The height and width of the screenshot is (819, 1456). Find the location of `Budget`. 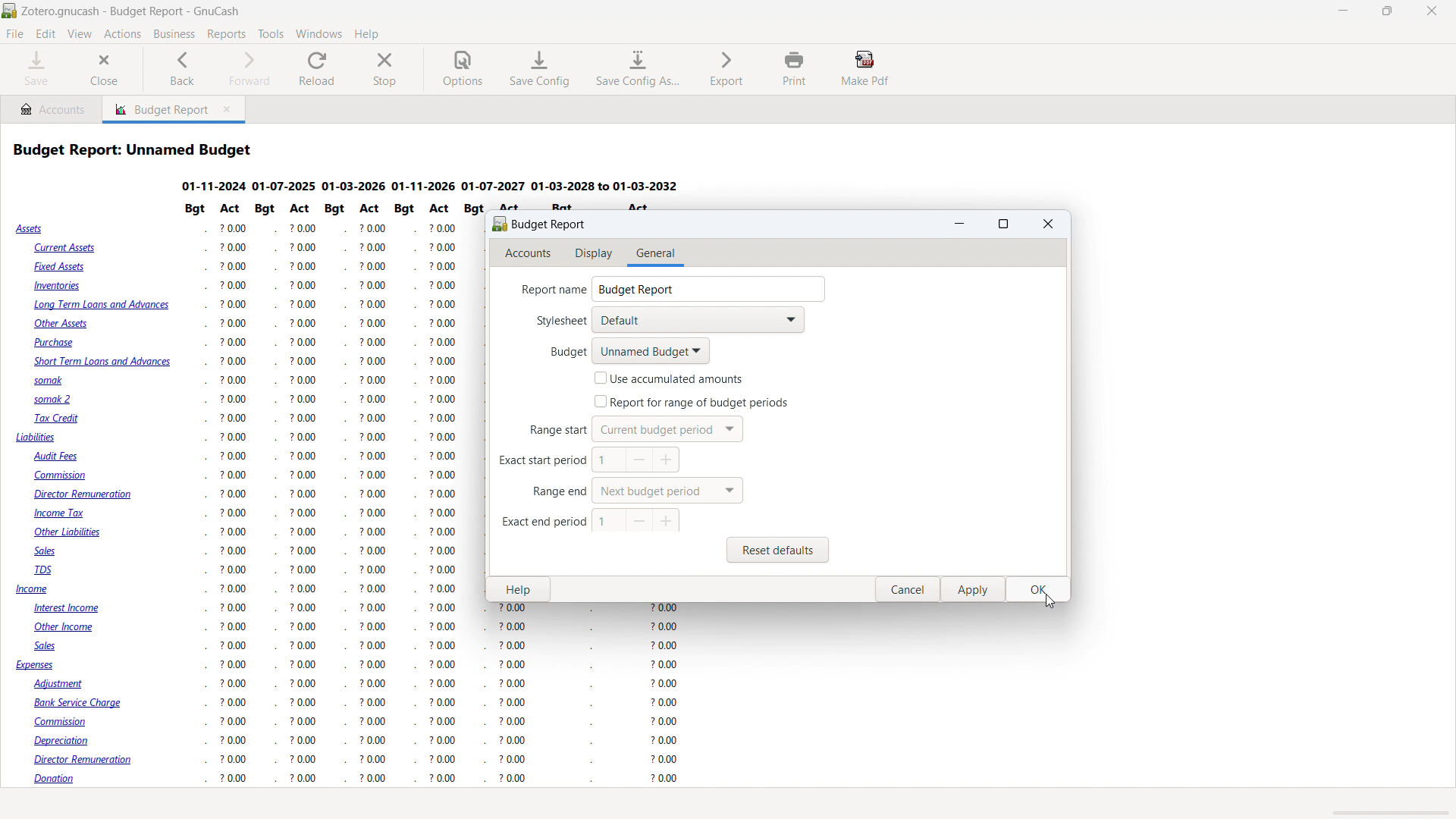

Budget is located at coordinates (554, 351).